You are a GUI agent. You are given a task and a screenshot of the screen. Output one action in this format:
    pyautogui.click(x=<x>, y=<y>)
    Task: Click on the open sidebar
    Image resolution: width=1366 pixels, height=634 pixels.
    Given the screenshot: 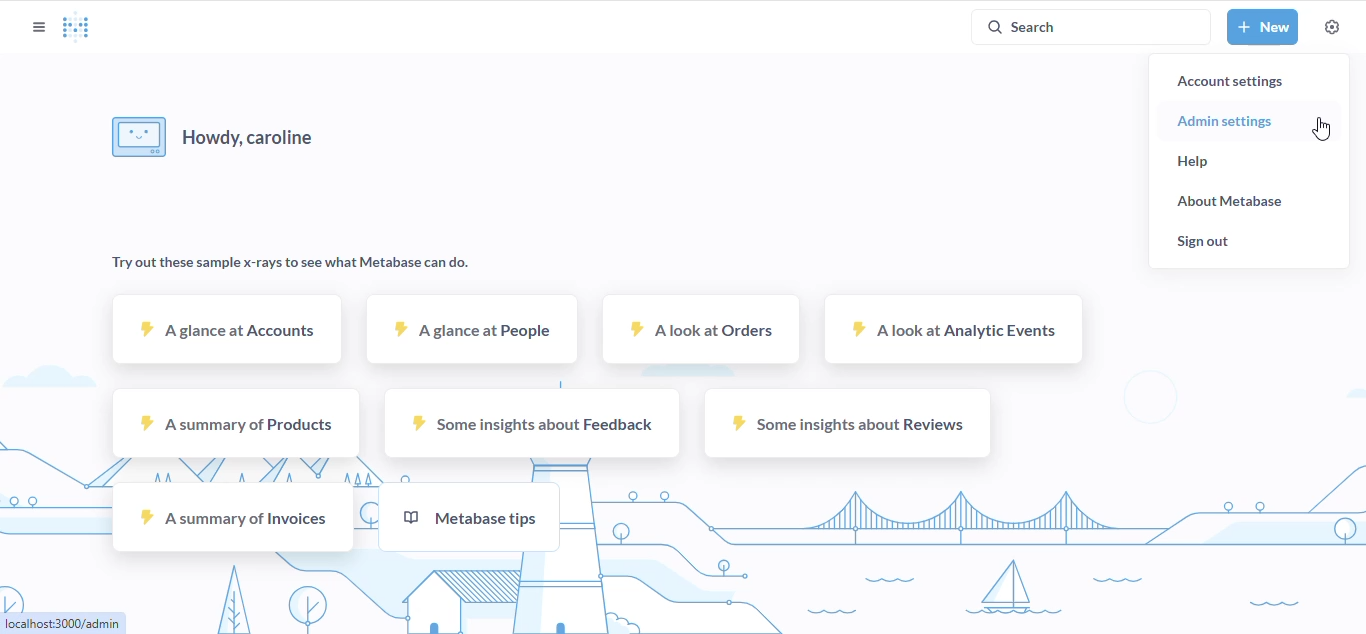 What is the action you would take?
    pyautogui.click(x=38, y=27)
    